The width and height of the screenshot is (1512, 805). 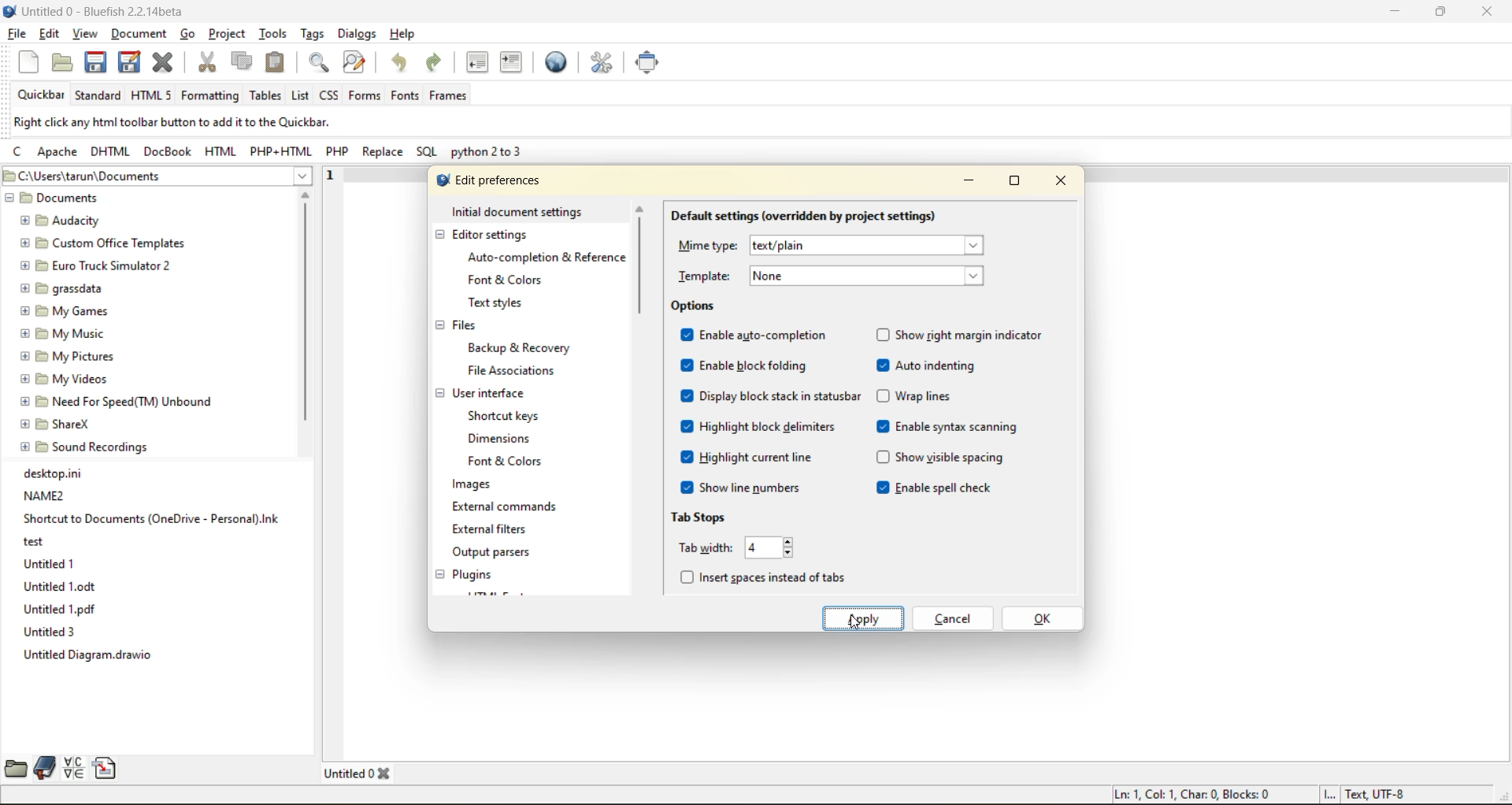 I want to click on maximize, so click(x=1440, y=14).